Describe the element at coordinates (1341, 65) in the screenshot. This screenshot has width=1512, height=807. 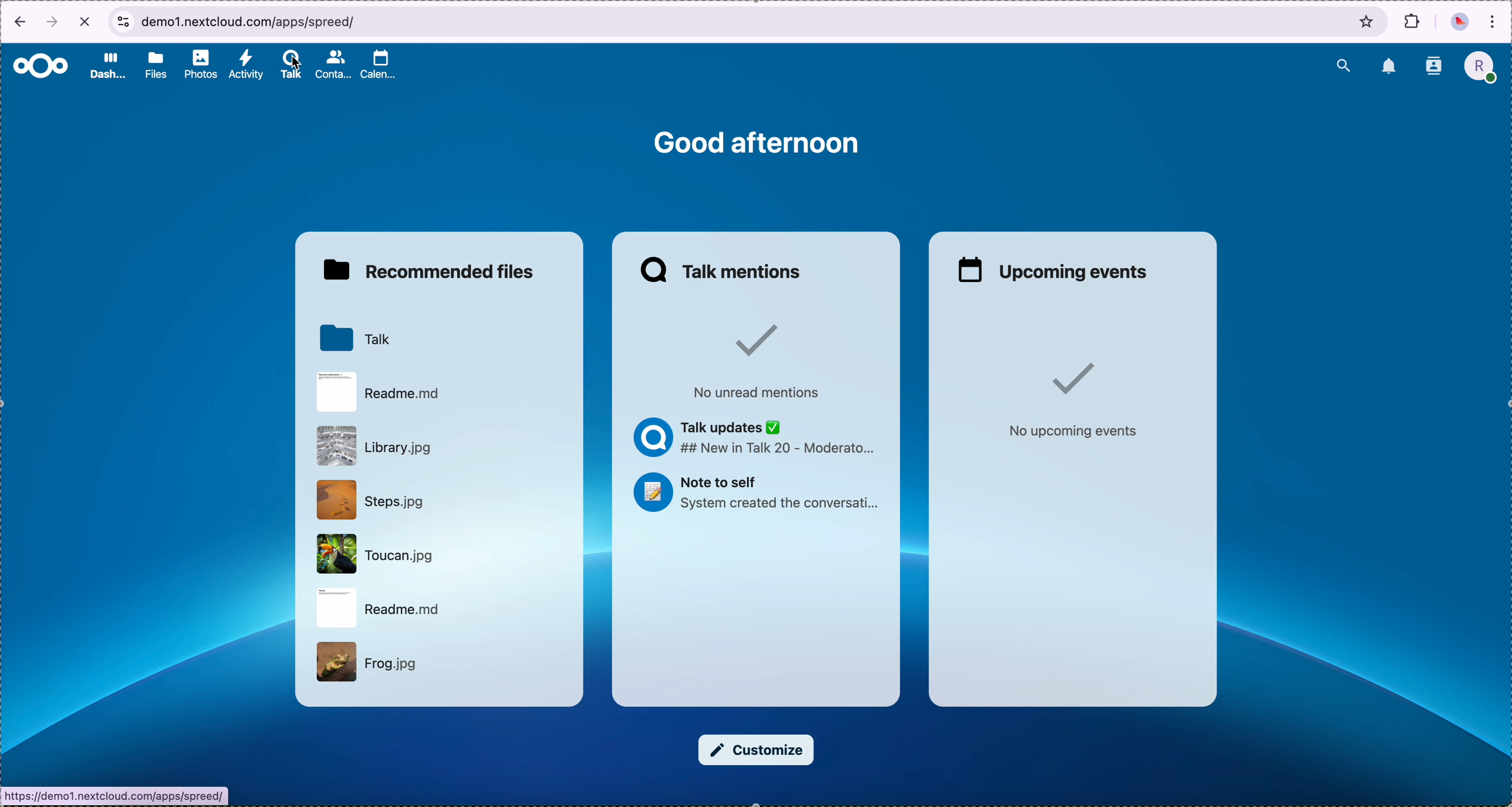
I see `search` at that location.